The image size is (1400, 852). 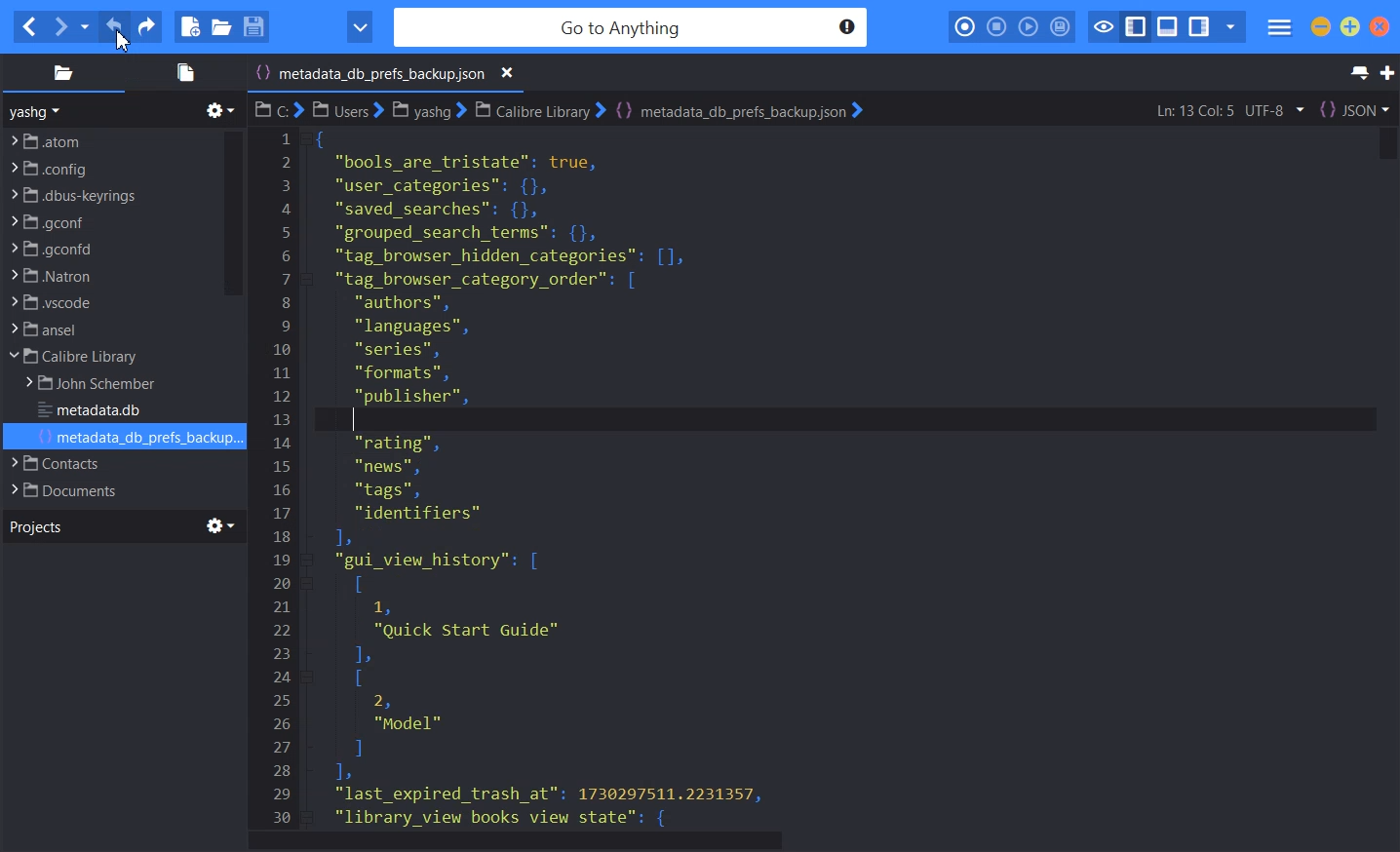 What do you see at coordinates (97, 411) in the screenshot?
I see `File` at bounding box center [97, 411].